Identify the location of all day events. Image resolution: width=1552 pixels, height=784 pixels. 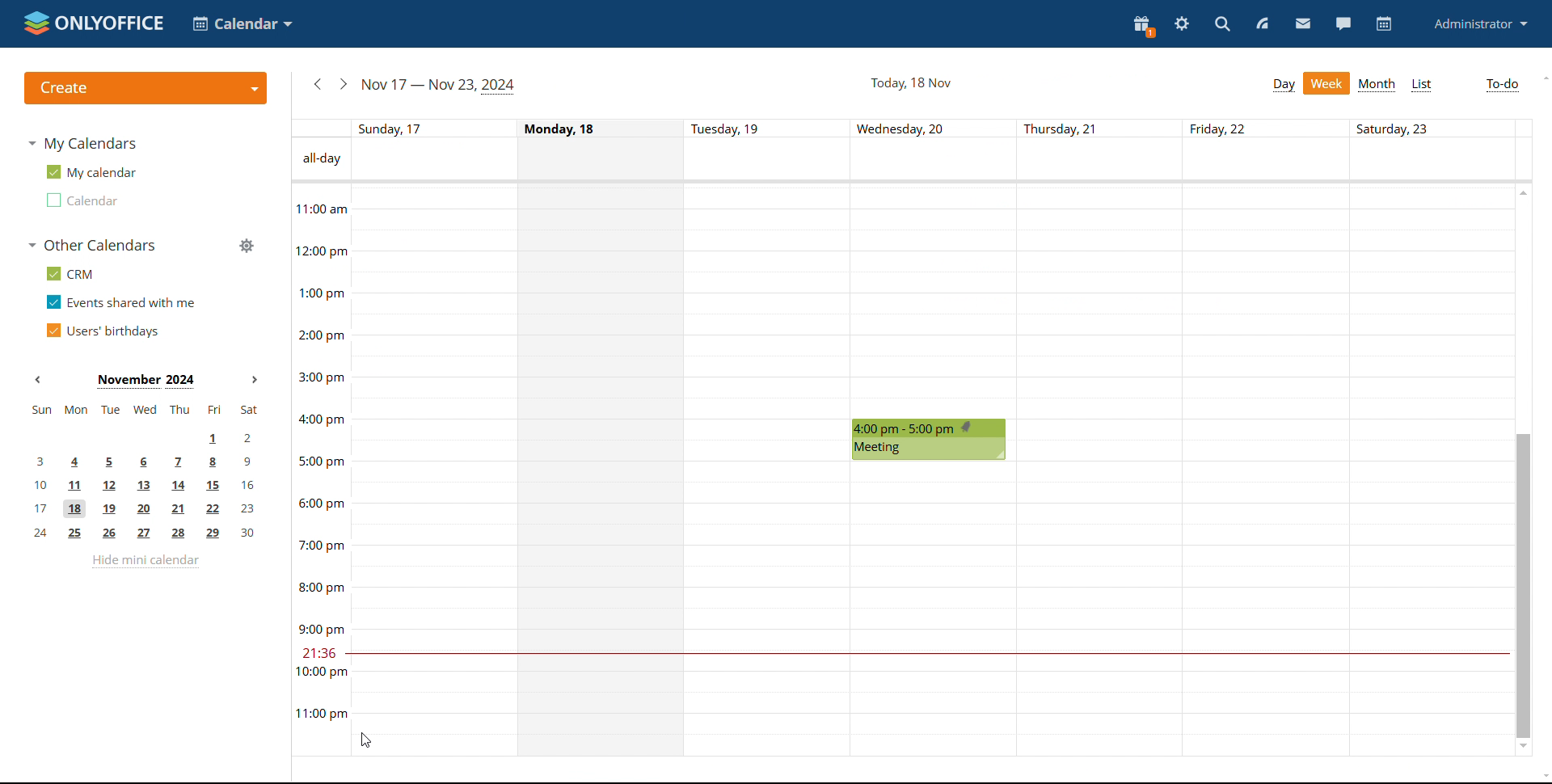
(941, 161).